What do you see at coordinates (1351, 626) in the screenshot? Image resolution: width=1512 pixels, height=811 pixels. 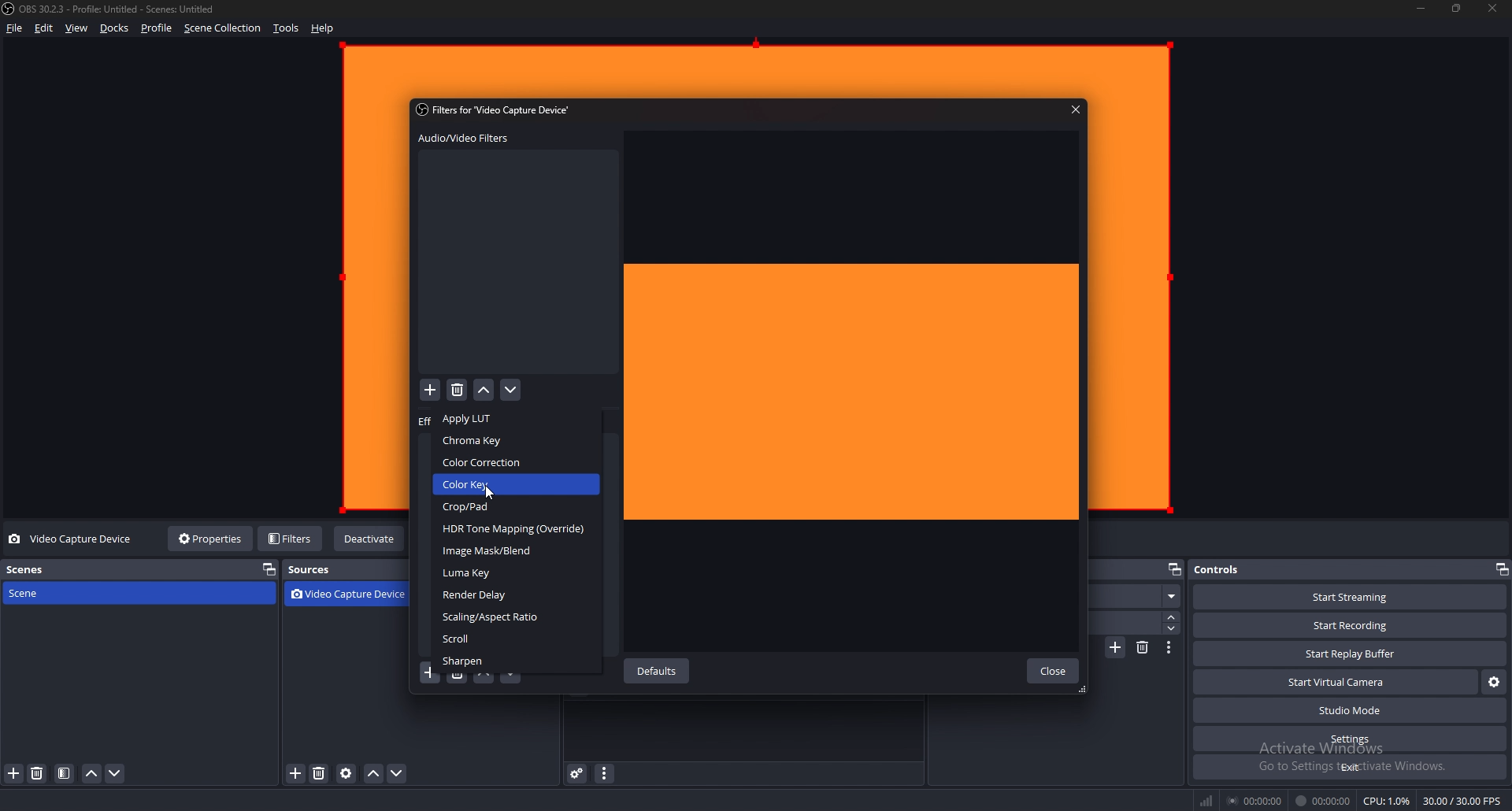 I see `start recording` at bounding box center [1351, 626].